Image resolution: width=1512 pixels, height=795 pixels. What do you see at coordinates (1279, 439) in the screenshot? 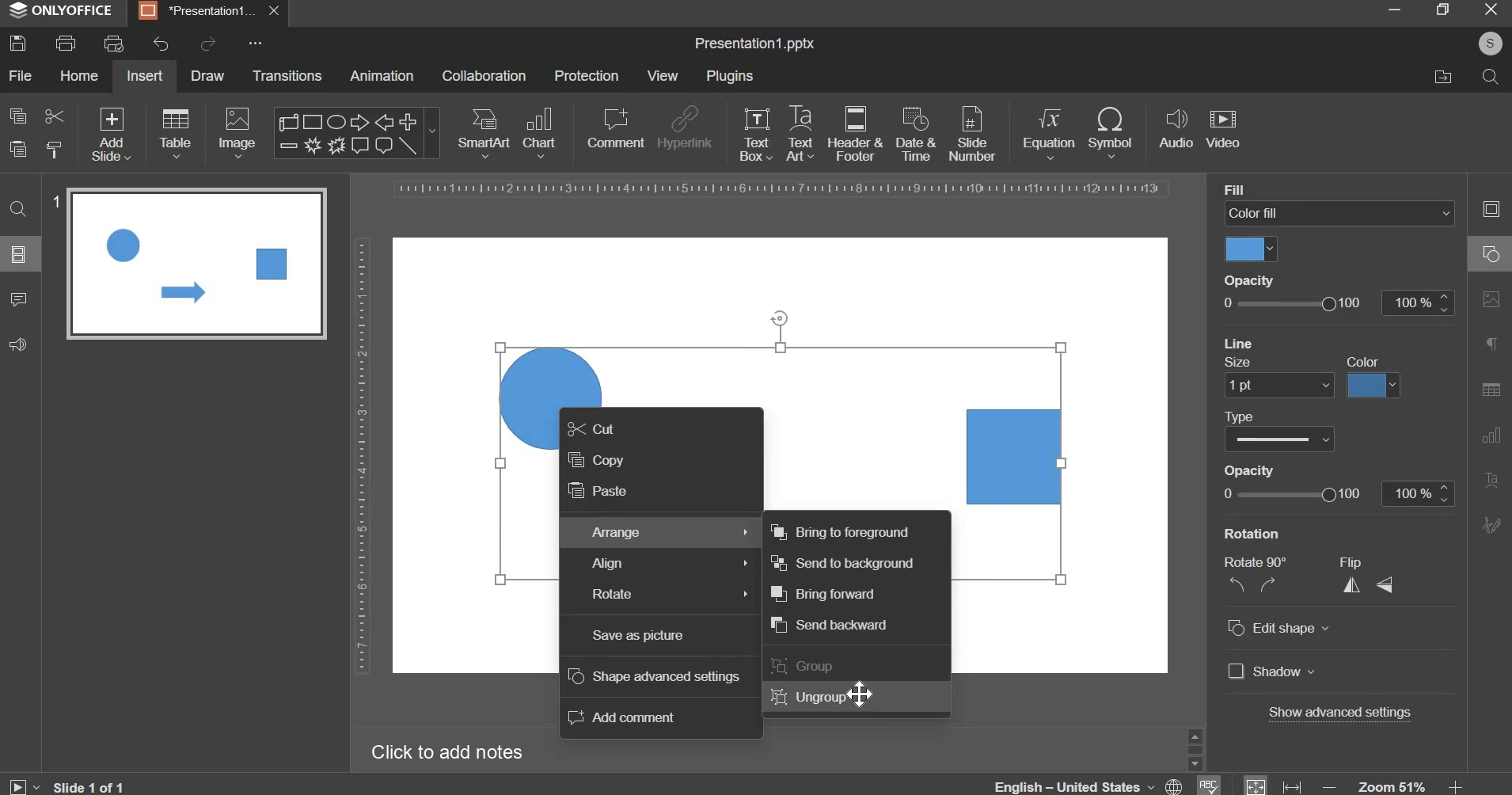
I see `line type` at bounding box center [1279, 439].